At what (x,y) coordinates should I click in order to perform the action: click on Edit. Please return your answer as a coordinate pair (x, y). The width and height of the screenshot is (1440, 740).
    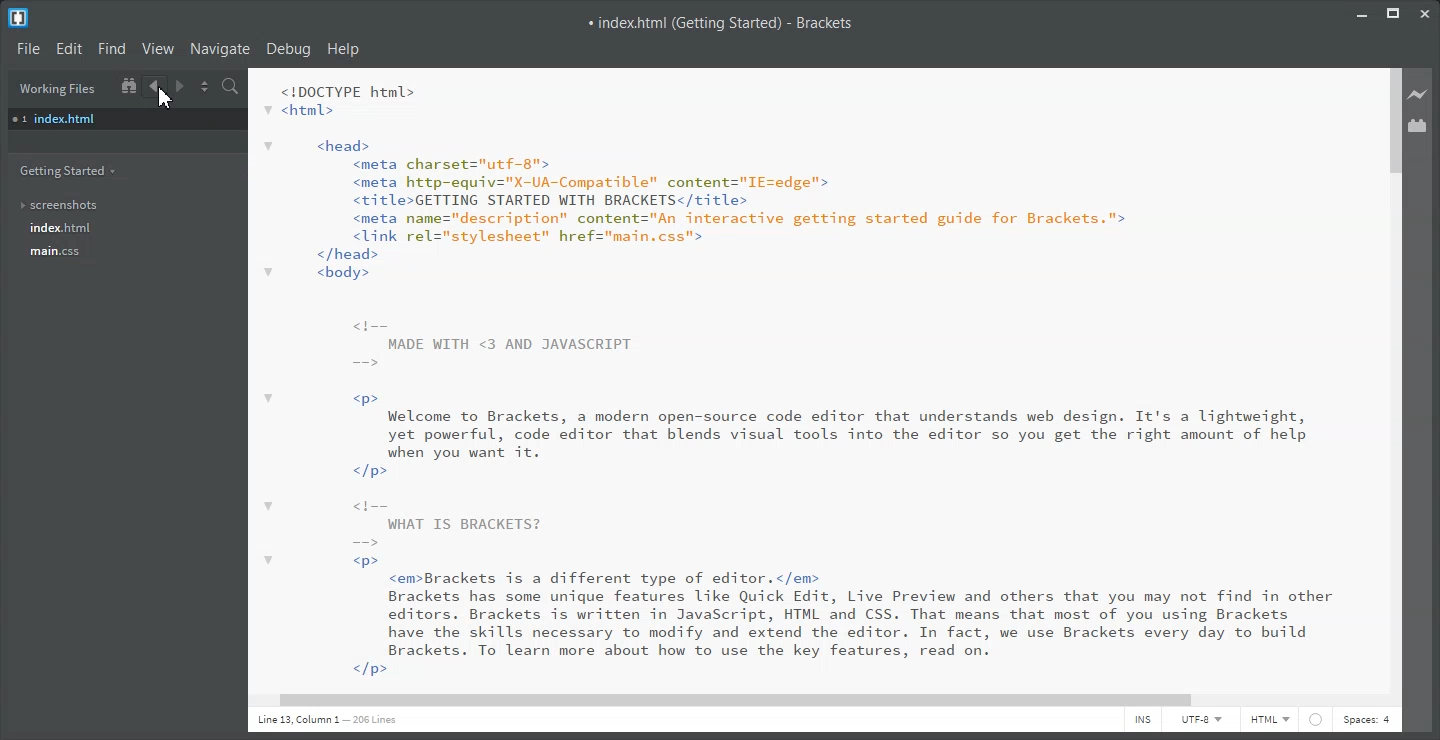
    Looking at the image, I should click on (69, 49).